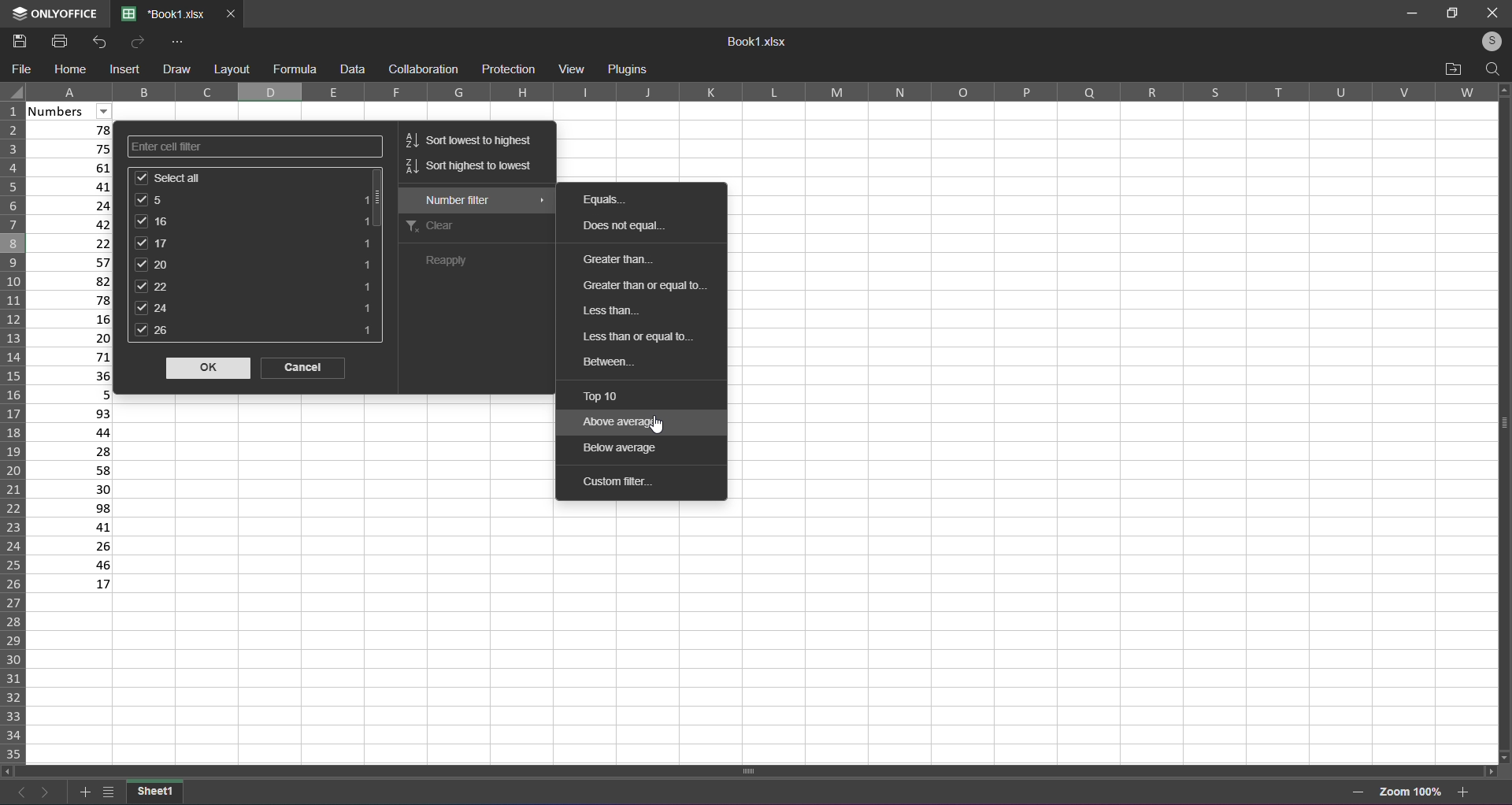  I want to click on 42, so click(76, 224).